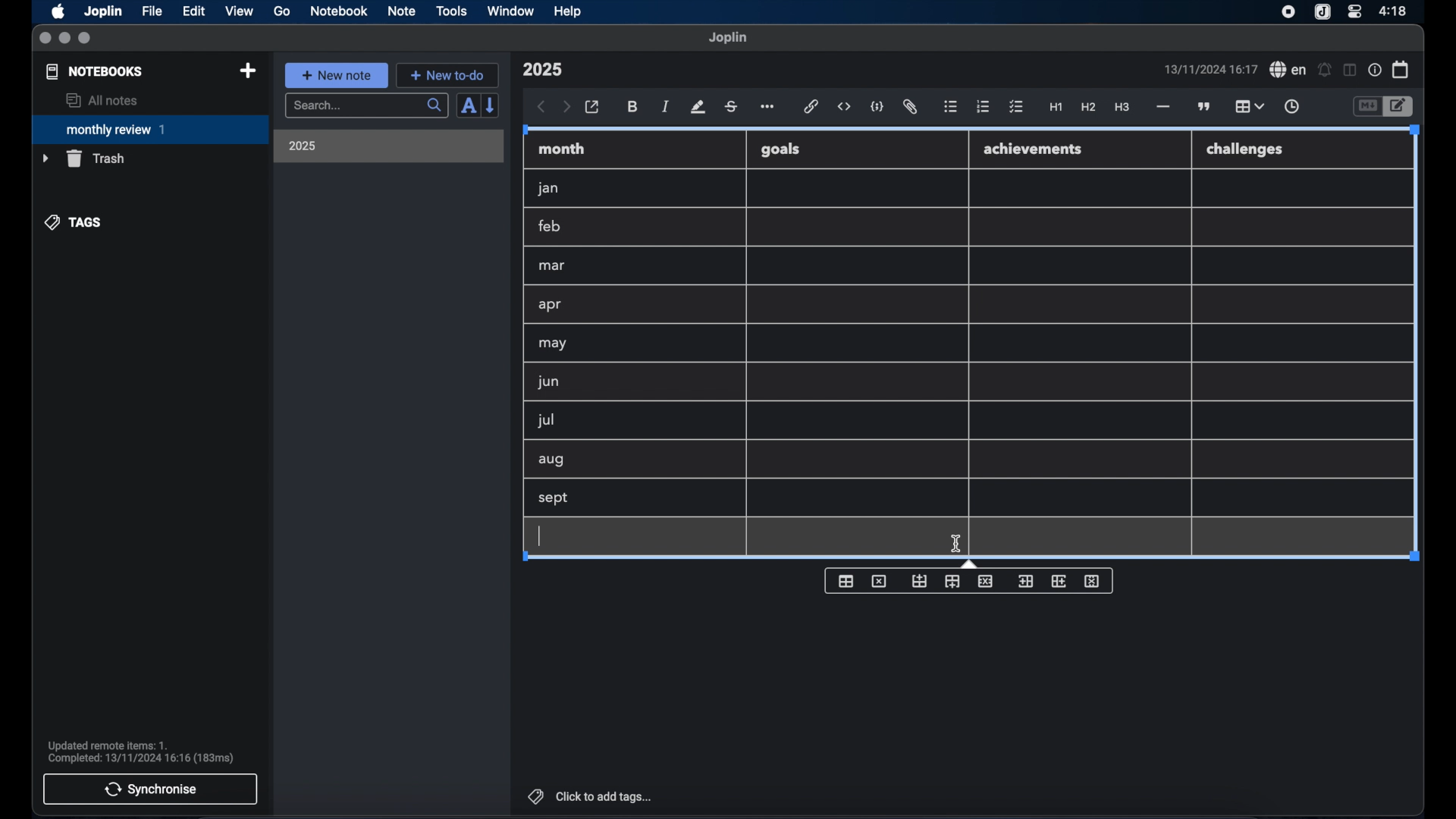  Describe the element at coordinates (877, 108) in the screenshot. I see `code` at that location.